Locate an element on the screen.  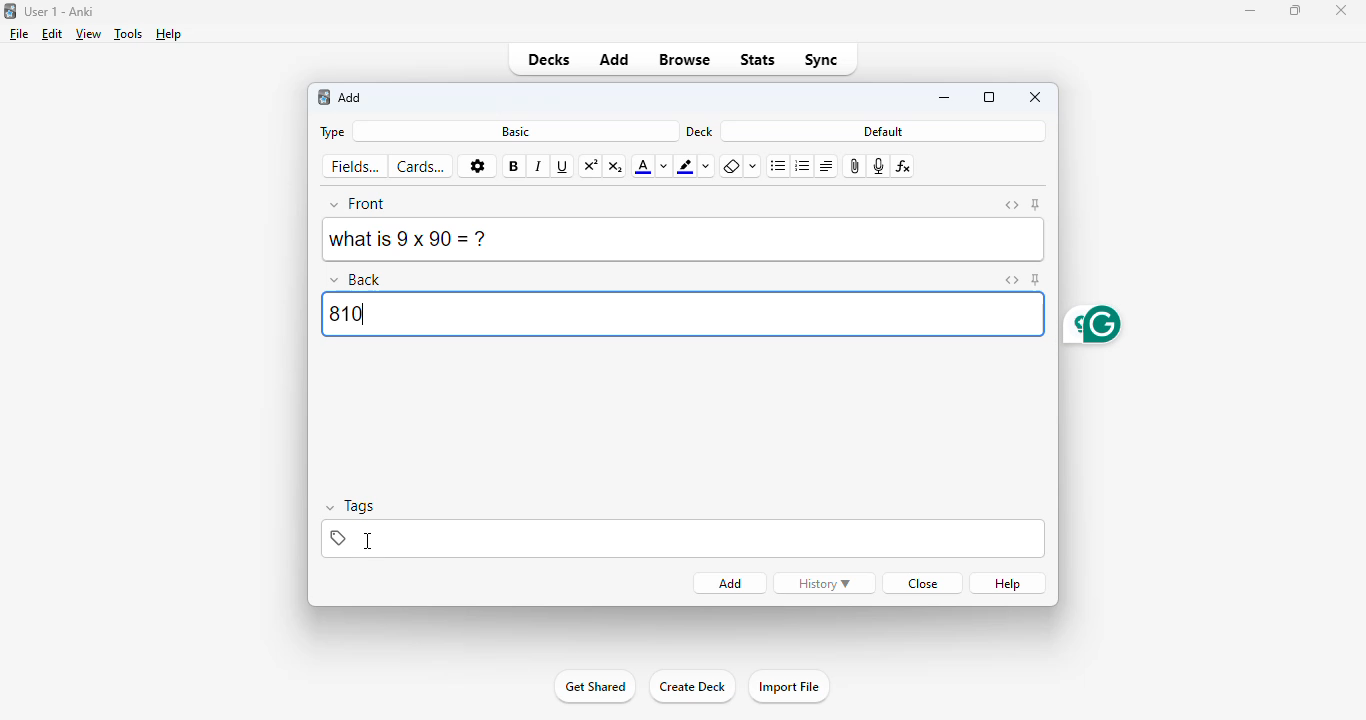
help is located at coordinates (169, 34).